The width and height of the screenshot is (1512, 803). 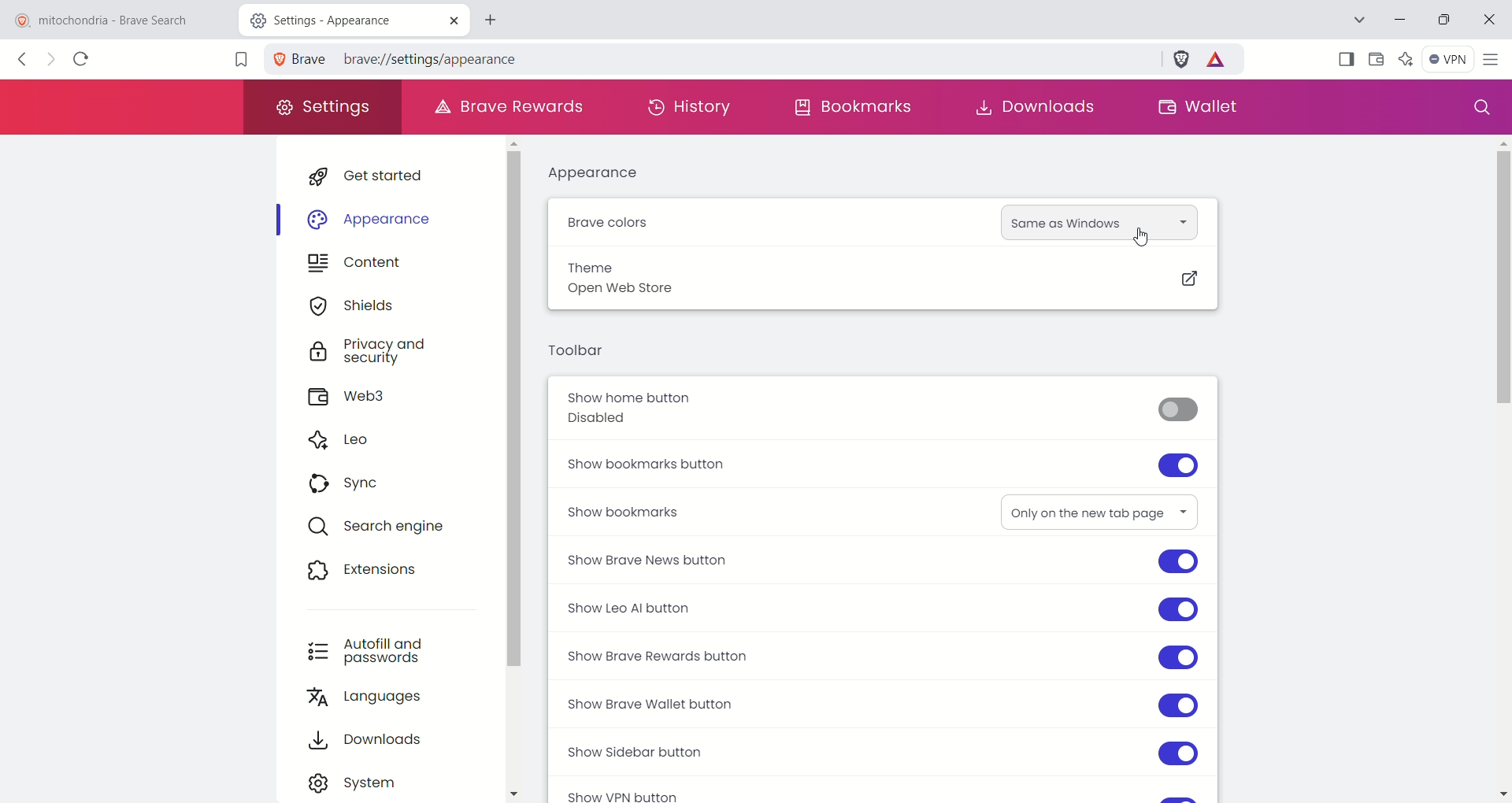 What do you see at coordinates (887, 469) in the screenshot?
I see `show bookmarks button` at bounding box center [887, 469].